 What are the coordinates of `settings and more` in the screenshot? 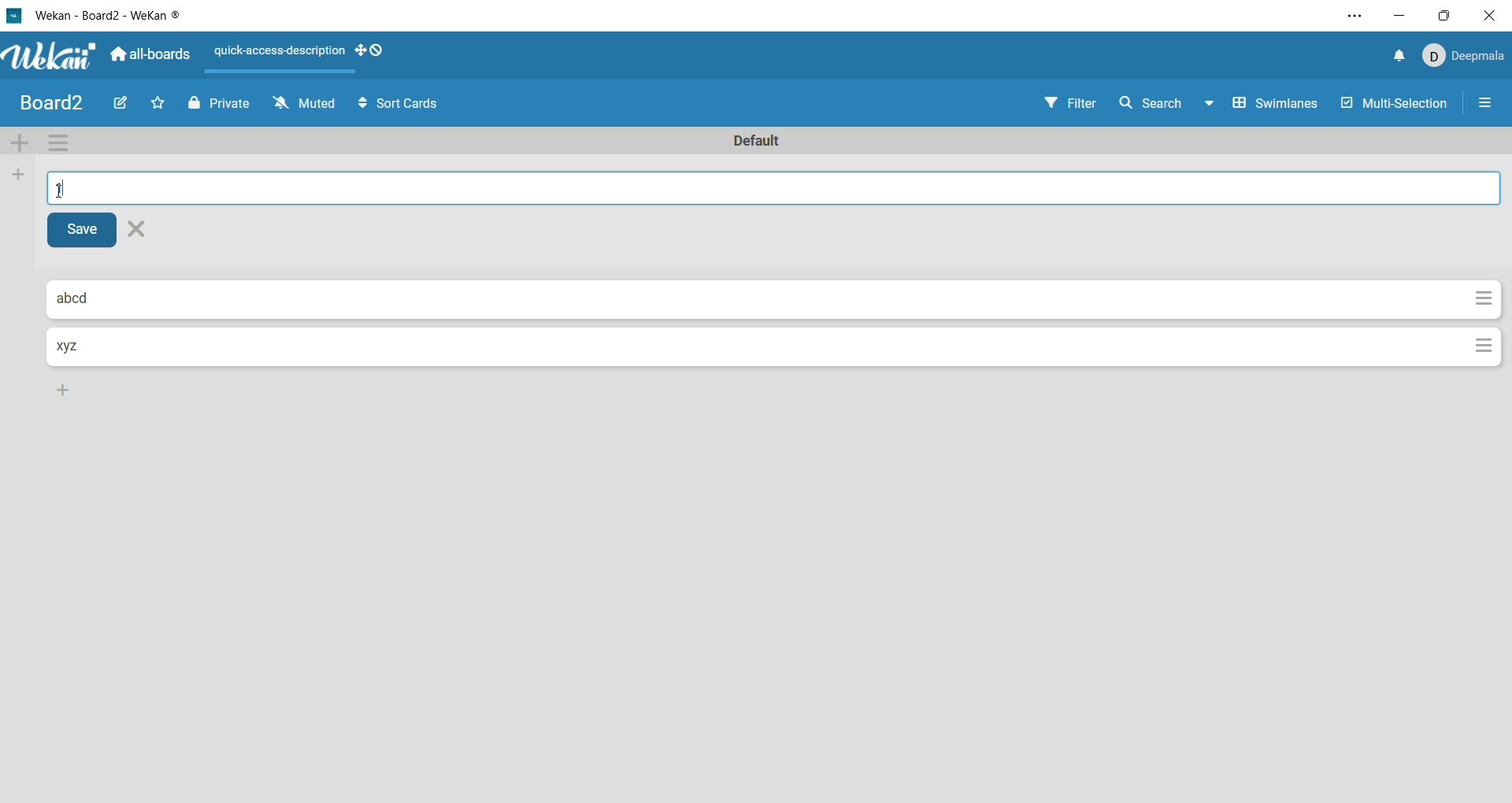 It's located at (1354, 18).